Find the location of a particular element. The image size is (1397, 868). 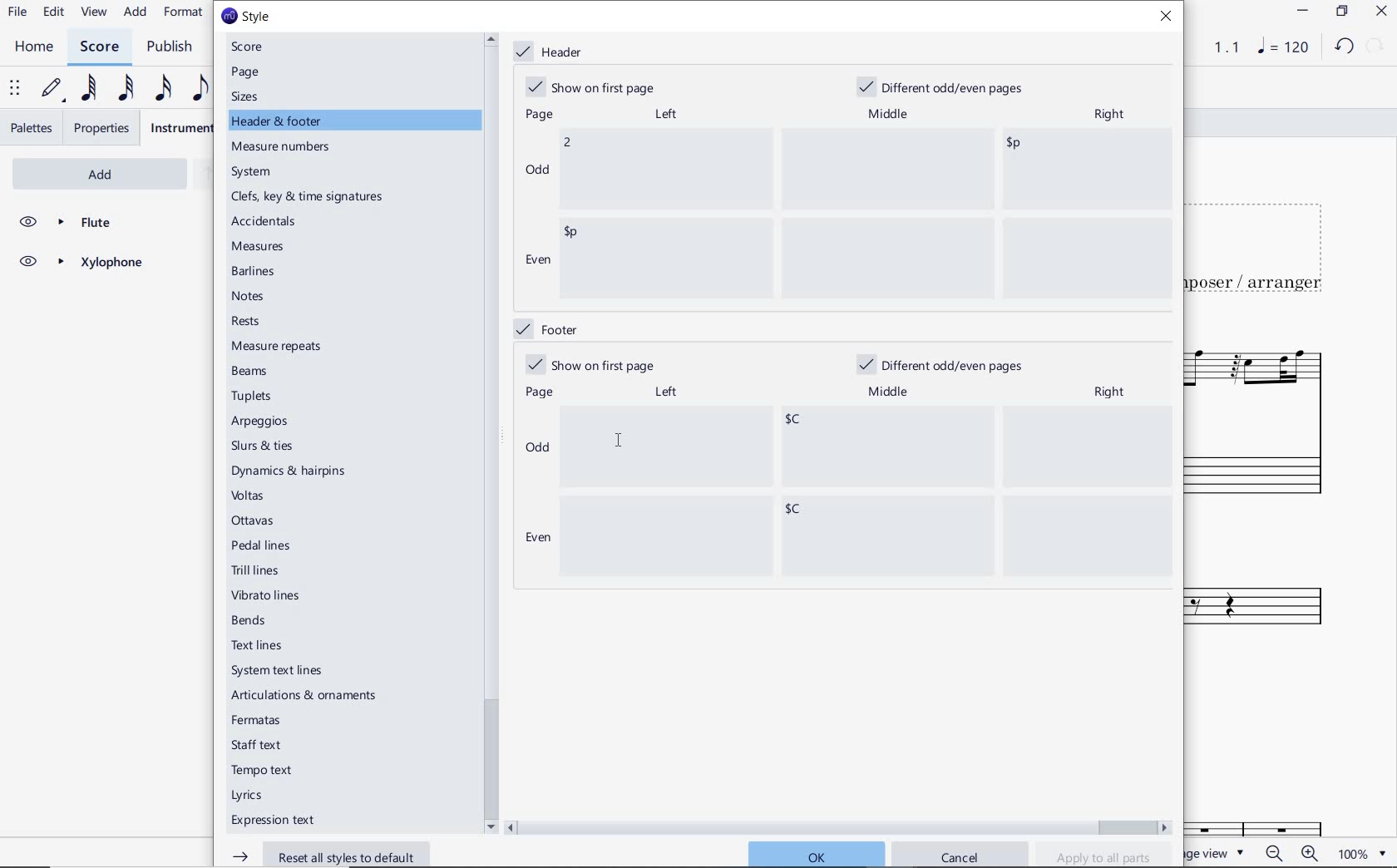

beams is located at coordinates (254, 372).